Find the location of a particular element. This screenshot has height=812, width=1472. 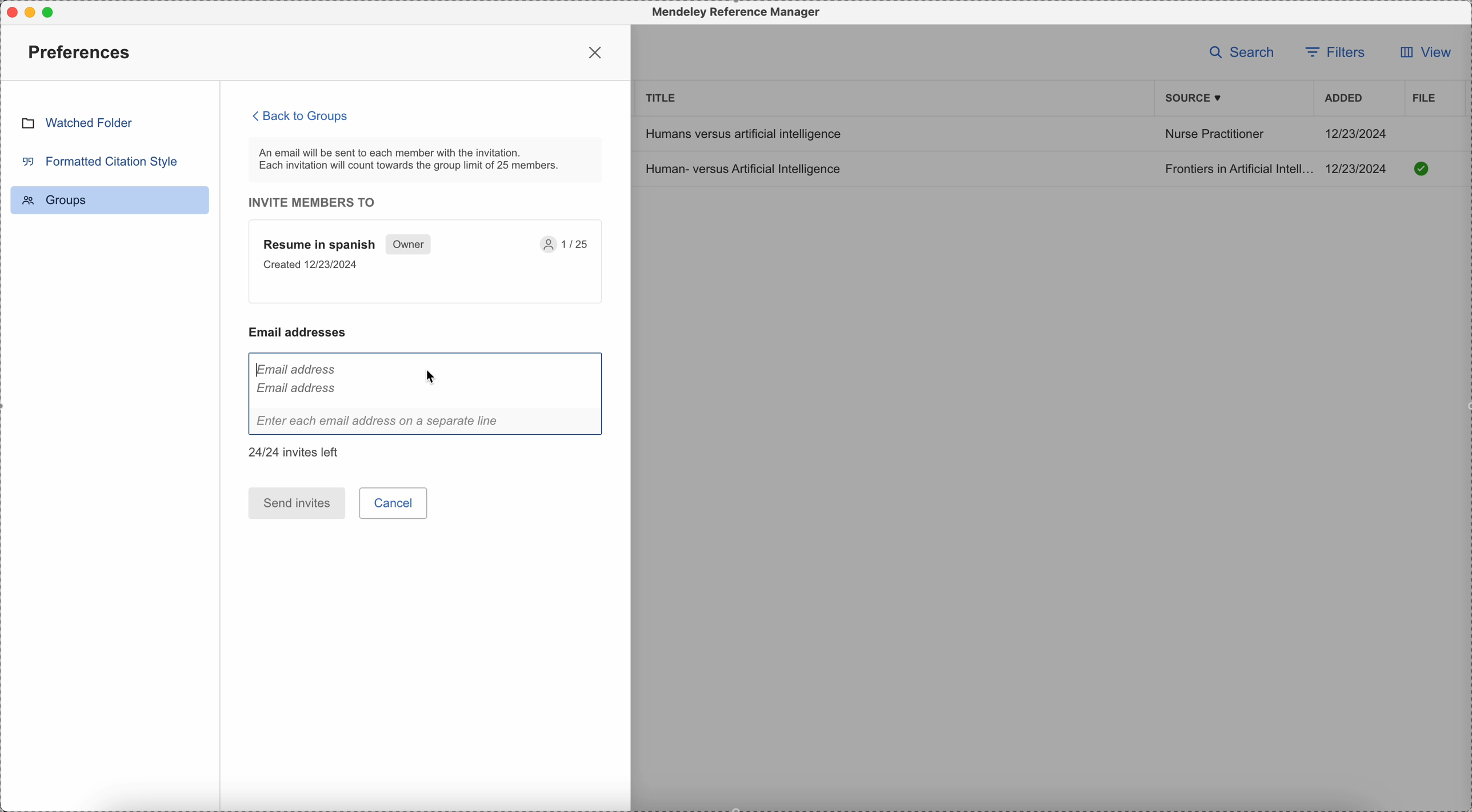

filters is located at coordinates (1338, 51).